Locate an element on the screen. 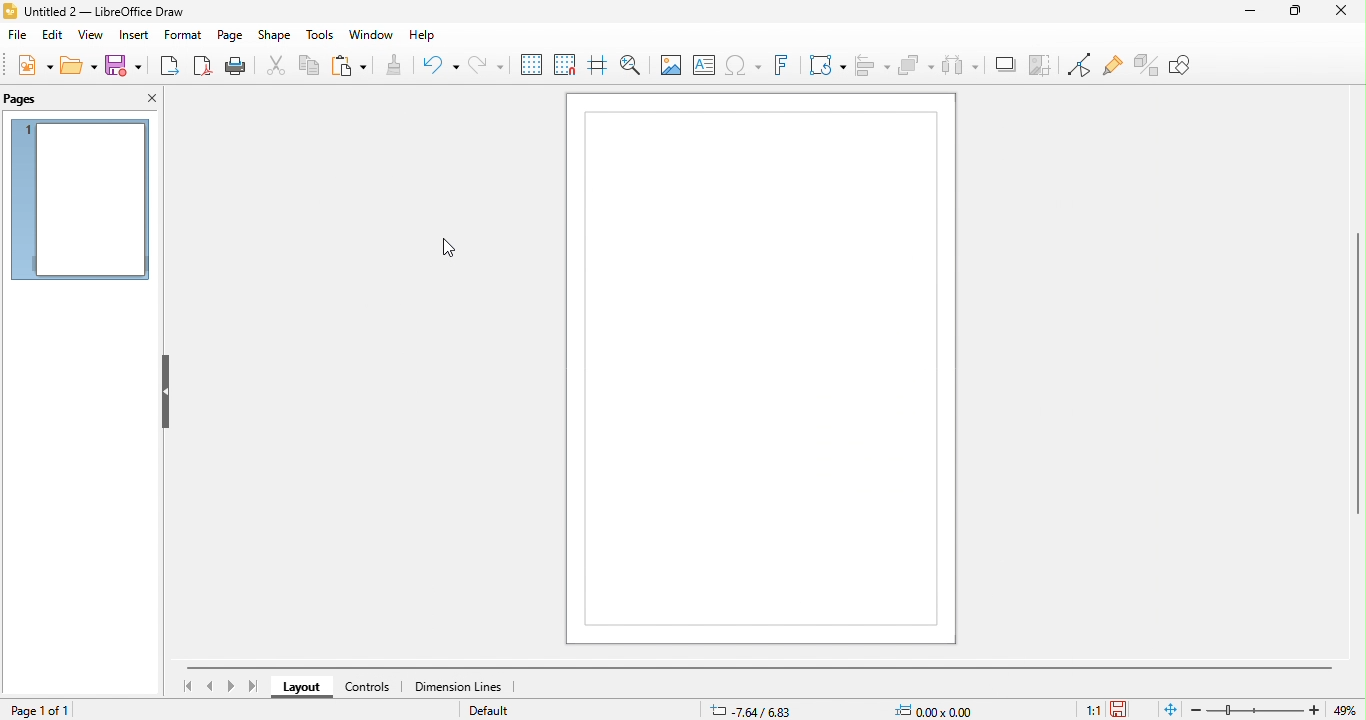 This screenshot has width=1366, height=720. new is located at coordinates (33, 64).